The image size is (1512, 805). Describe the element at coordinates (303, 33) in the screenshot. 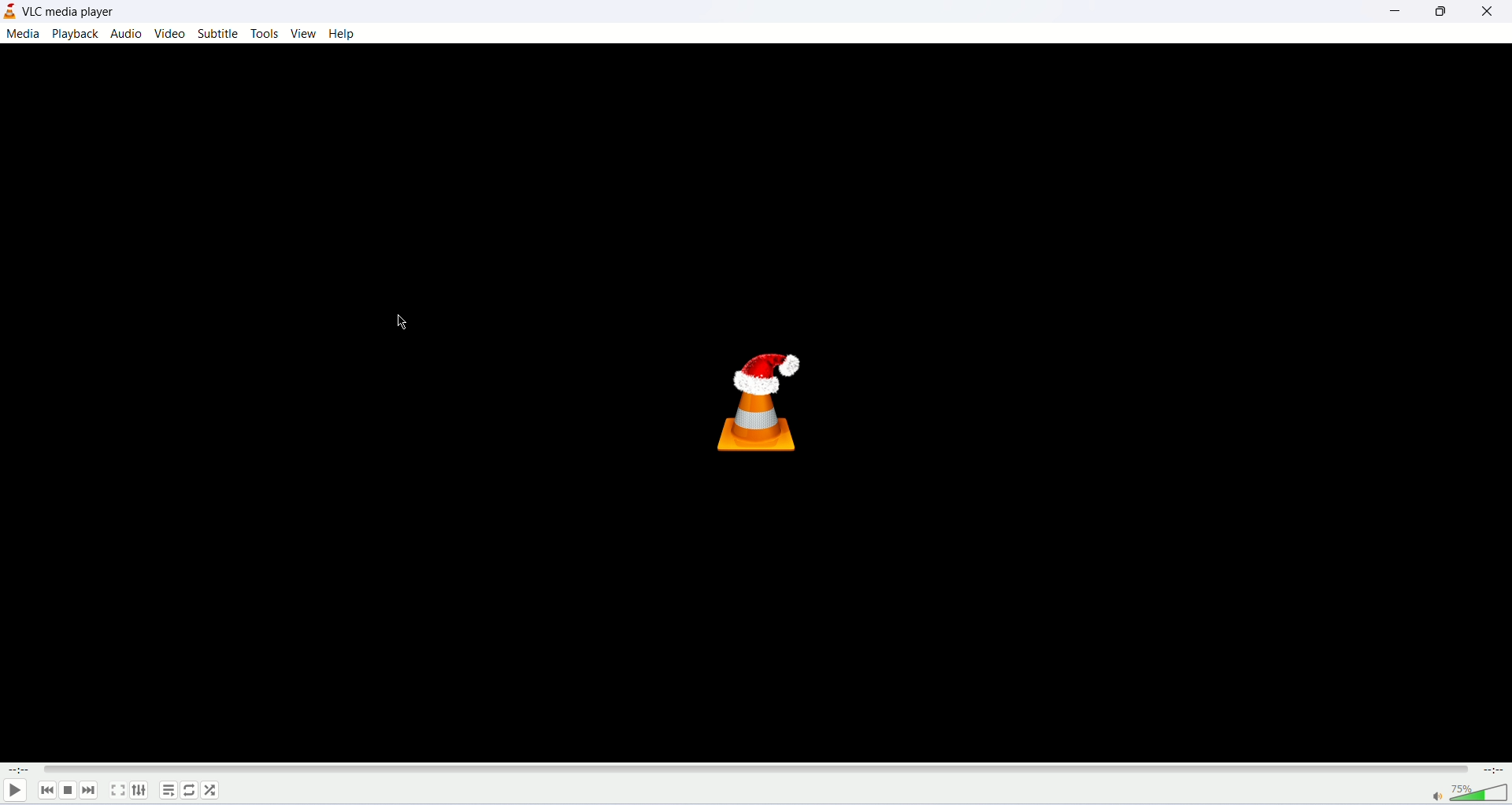

I see `view` at that location.